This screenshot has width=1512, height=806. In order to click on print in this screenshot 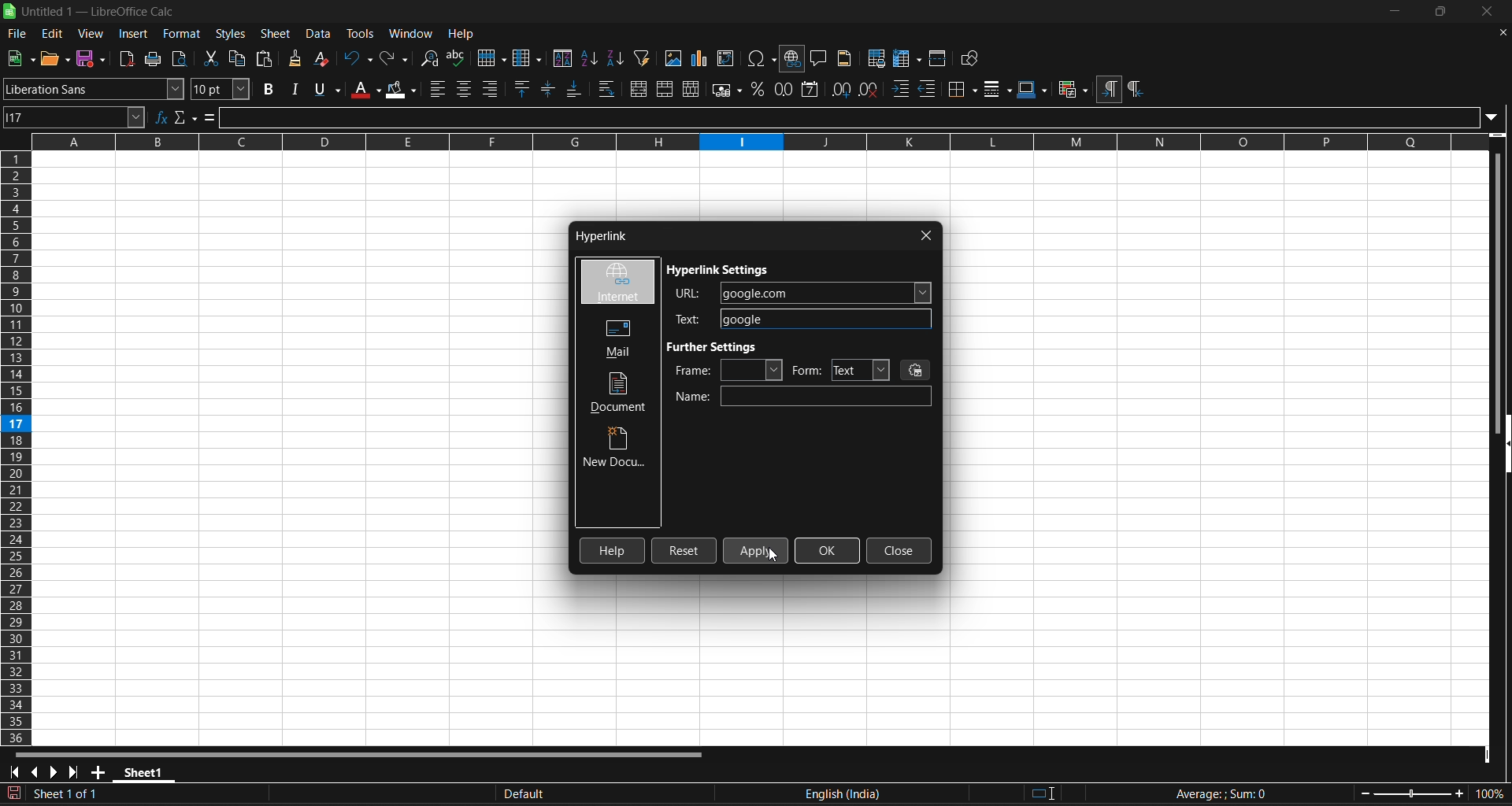, I will do `click(157, 58)`.